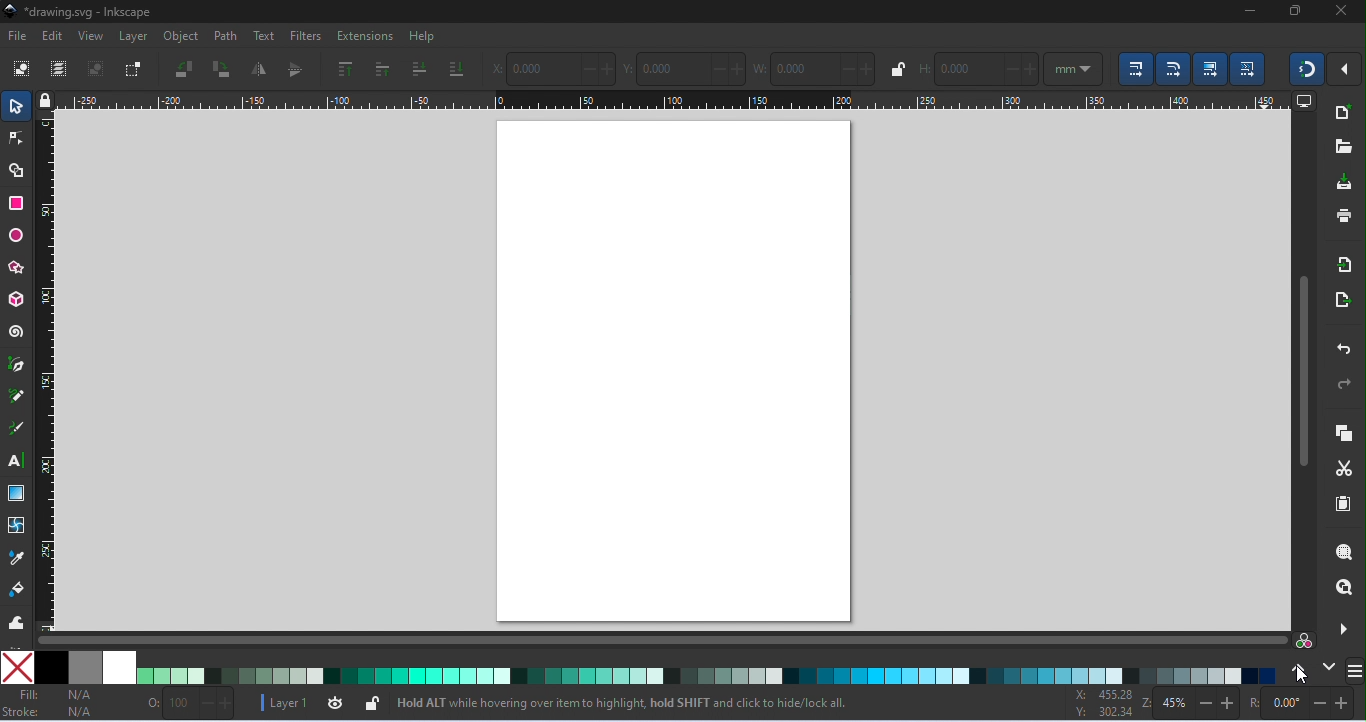 This screenshot has height=722, width=1366. What do you see at coordinates (622, 699) in the screenshot?
I see `Hold ALT while hovering over item to highlight, hold shift and click to hide/lock all` at bounding box center [622, 699].